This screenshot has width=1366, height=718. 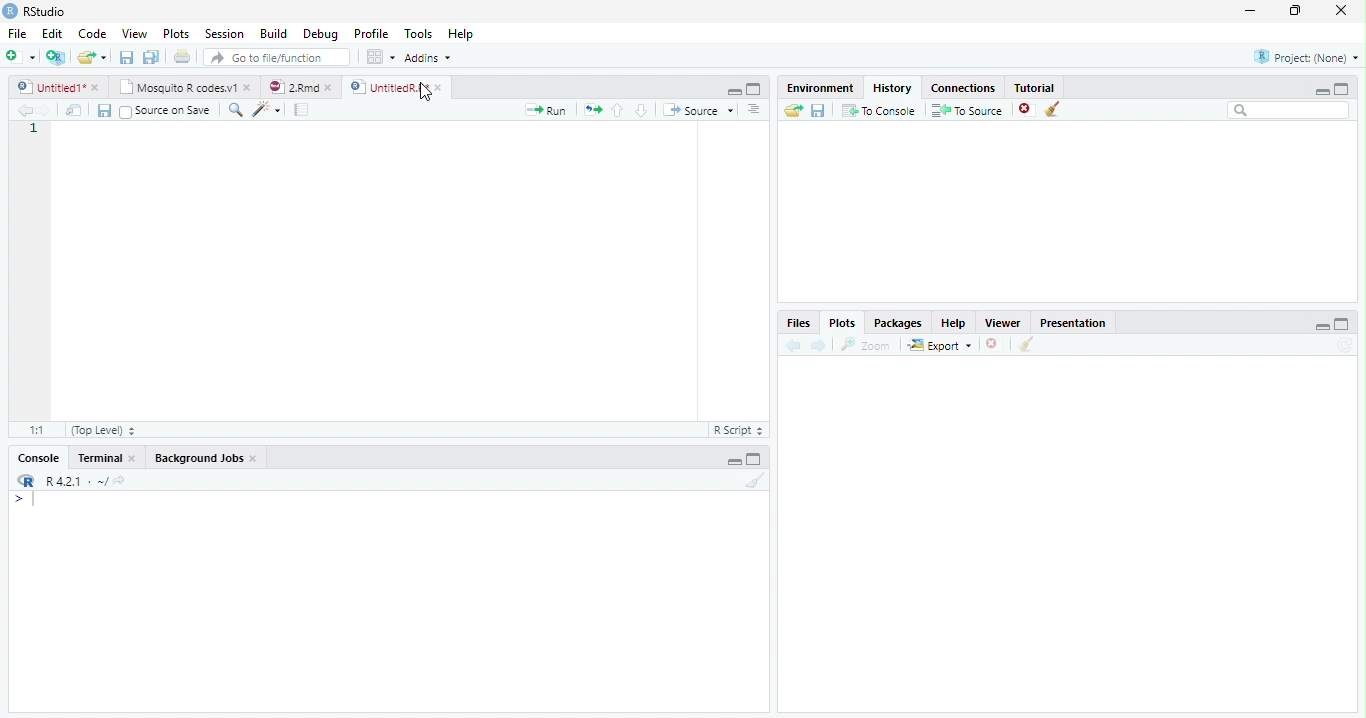 I want to click on Load Workspace, so click(x=794, y=111).